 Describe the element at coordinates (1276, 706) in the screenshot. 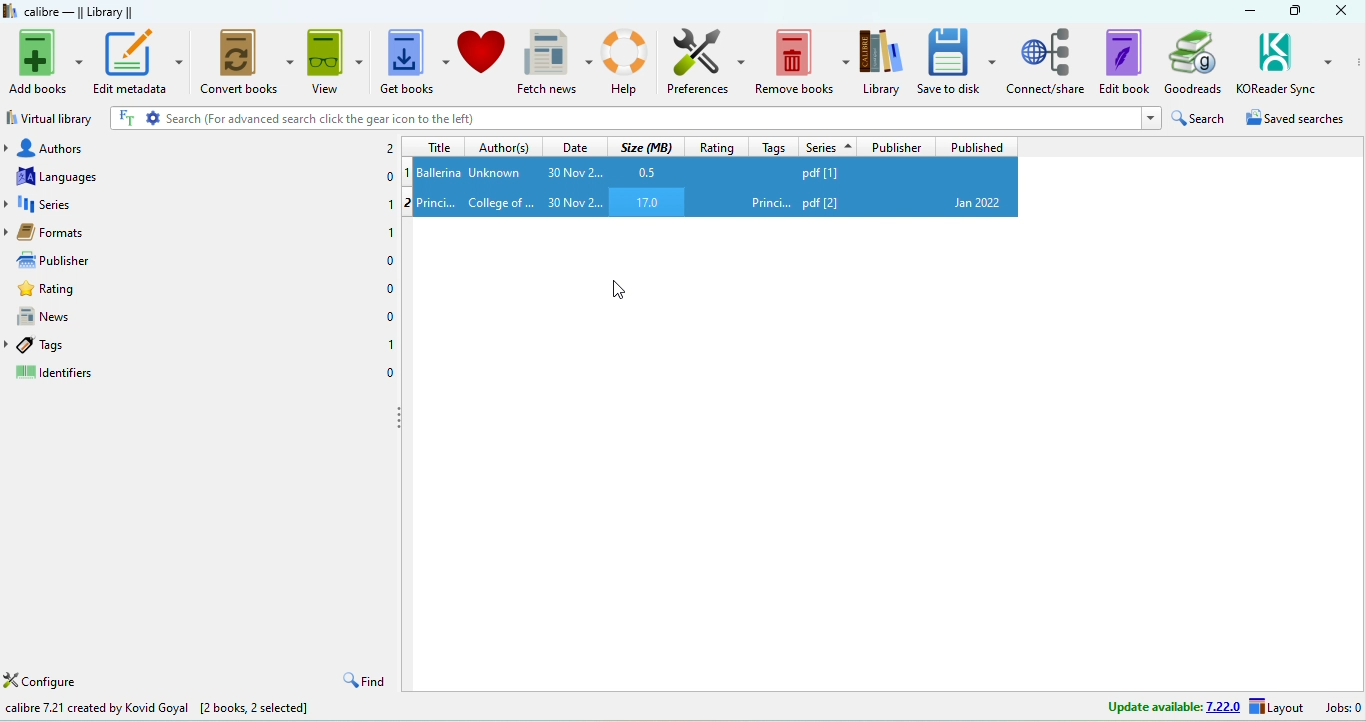

I see `layout` at that location.